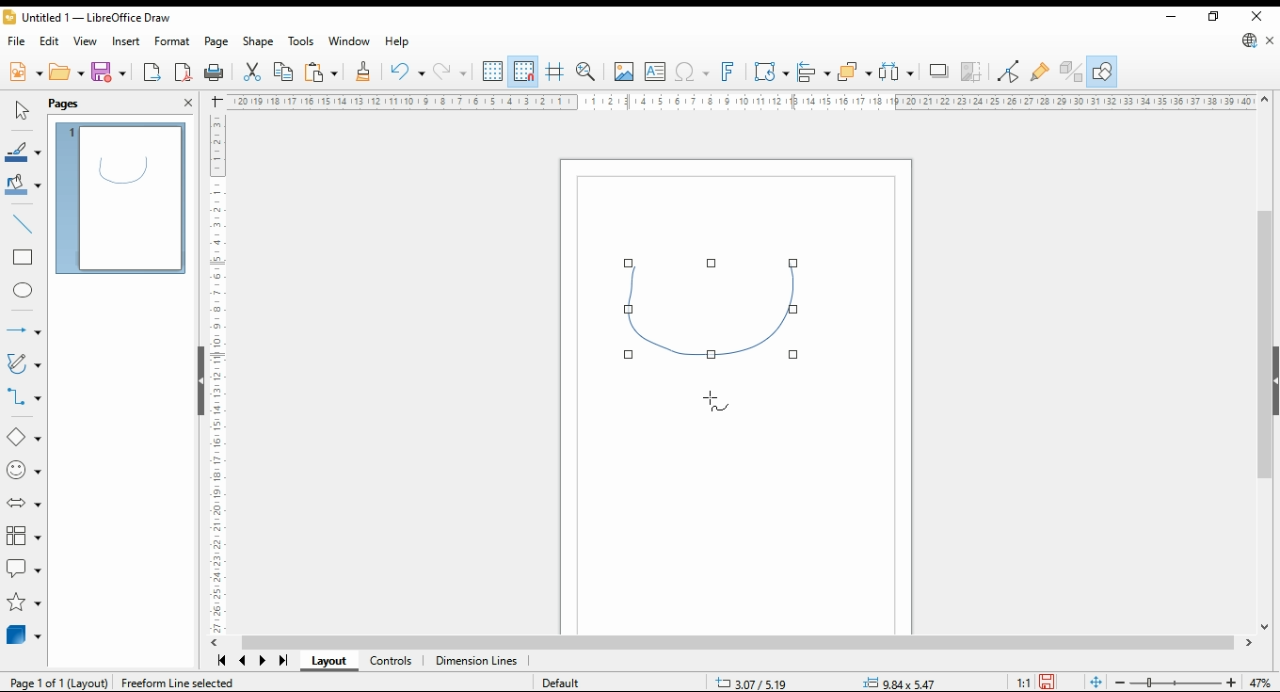  Describe the element at coordinates (1256, 14) in the screenshot. I see `close window` at that location.